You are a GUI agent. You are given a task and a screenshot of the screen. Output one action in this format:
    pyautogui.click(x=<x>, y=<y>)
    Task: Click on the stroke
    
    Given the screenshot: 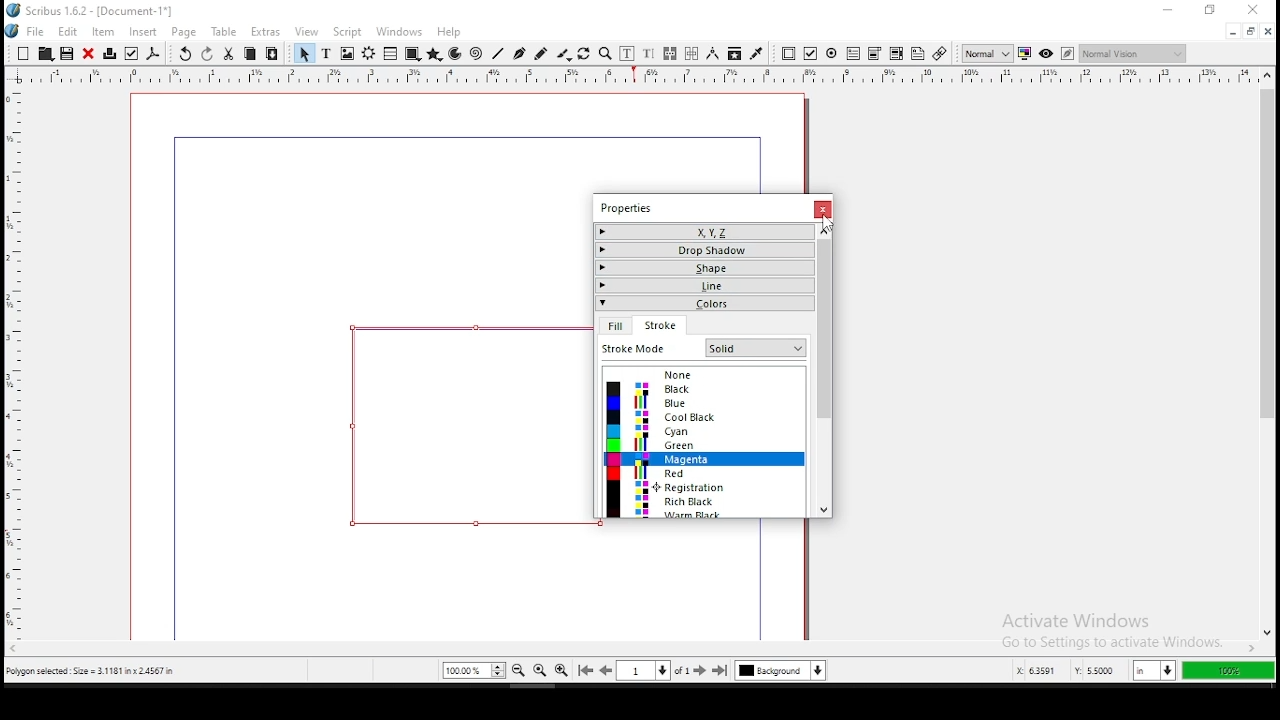 What is the action you would take?
    pyautogui.click(x=661, y=326)
    